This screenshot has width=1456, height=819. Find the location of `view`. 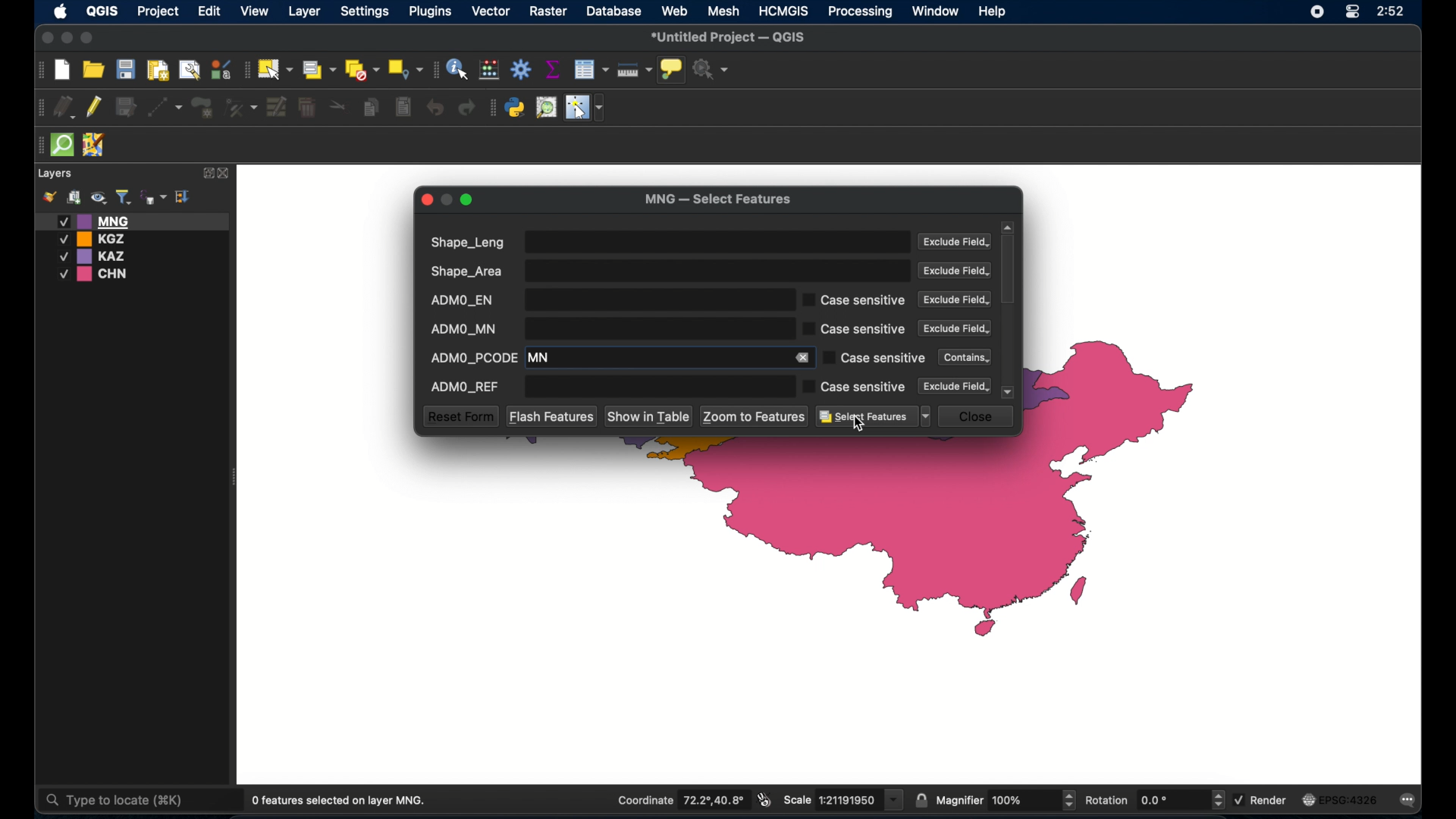

view is located at coordinates (256, 11).